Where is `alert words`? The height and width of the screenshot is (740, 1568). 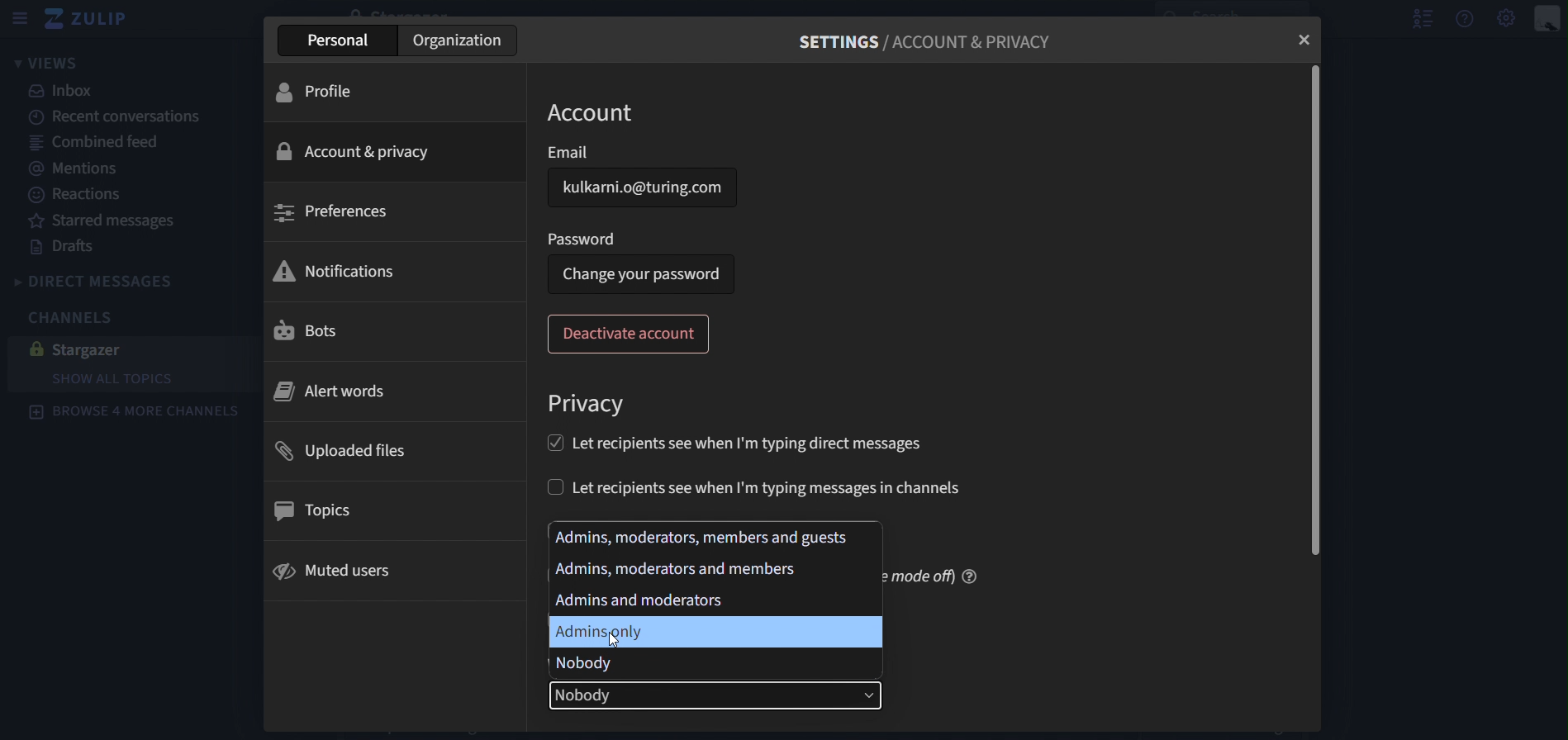 alert words is located at coordinates (328, 391).